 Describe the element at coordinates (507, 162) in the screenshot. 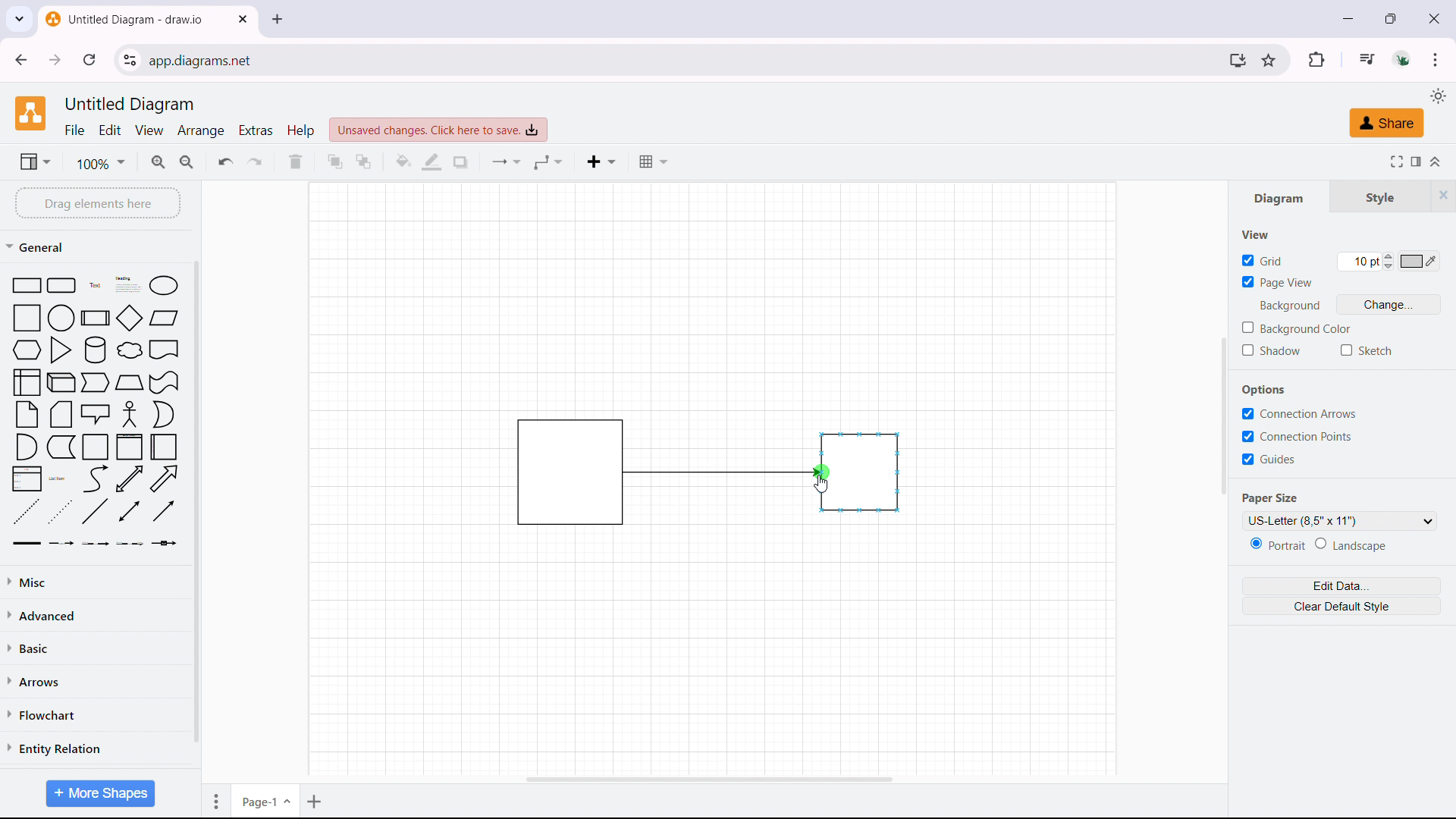

I see `conncetion` at that location.